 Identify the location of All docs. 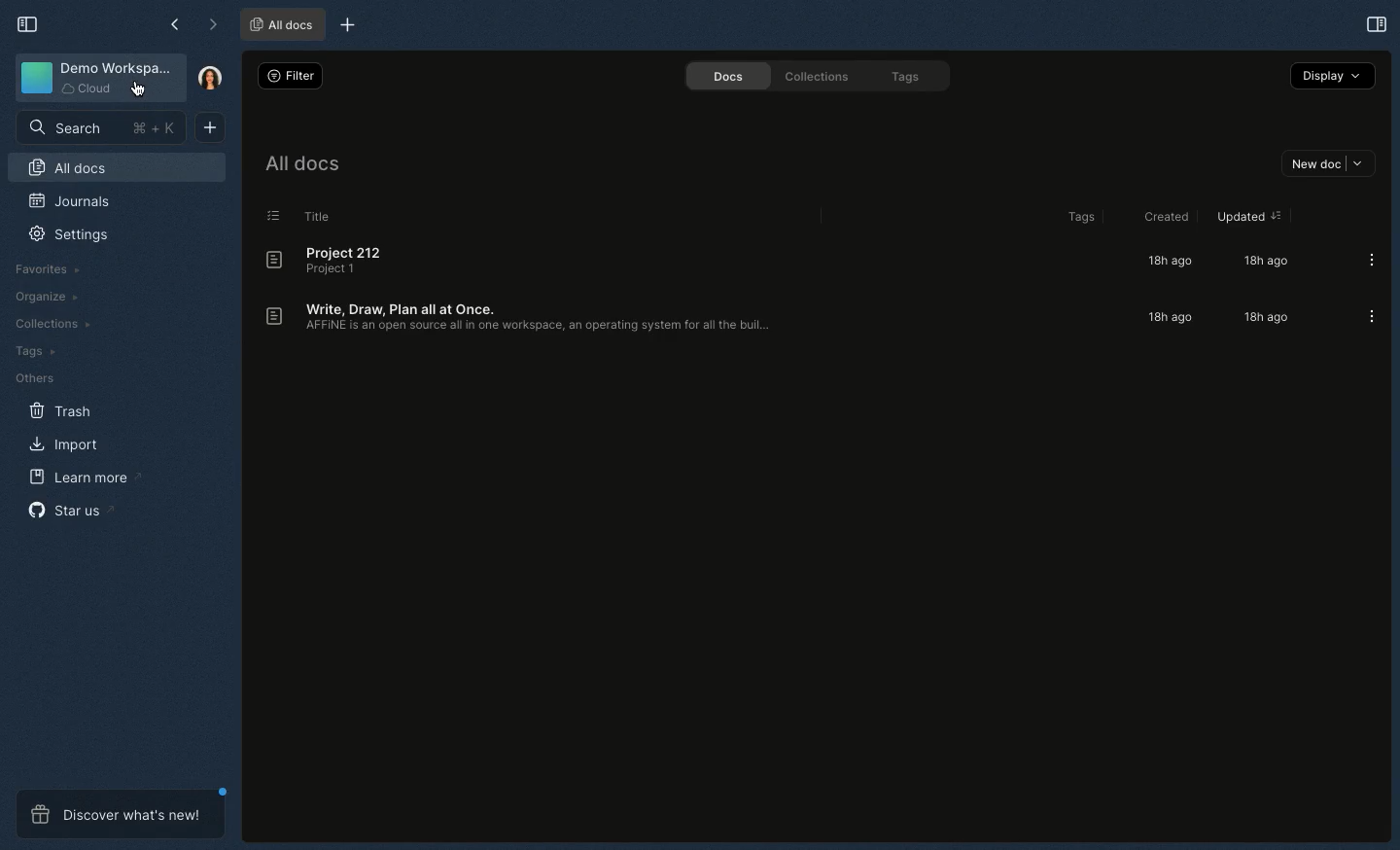
(300, 162).